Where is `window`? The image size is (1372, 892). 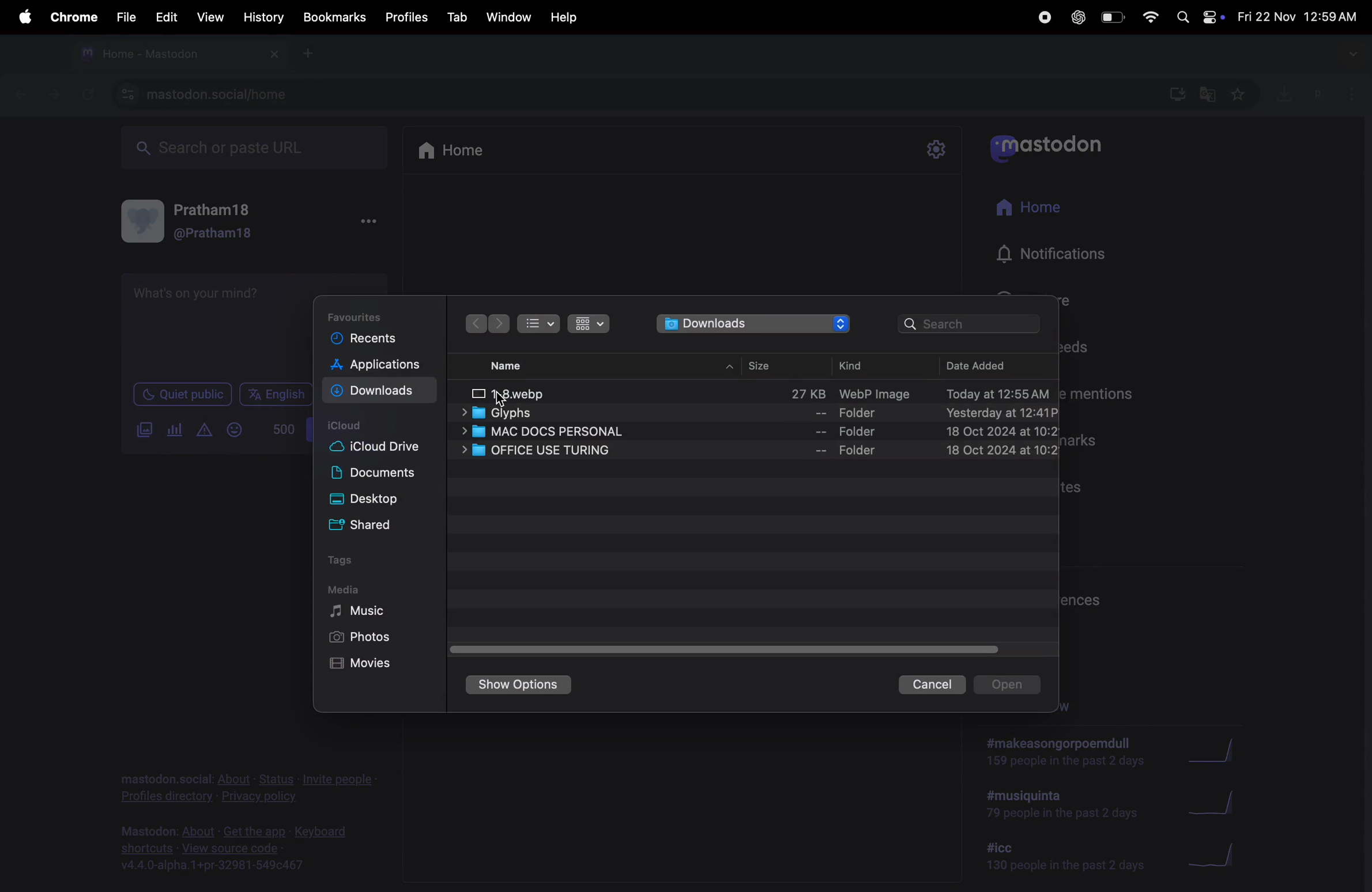
window is located at coordinates (509, 18).